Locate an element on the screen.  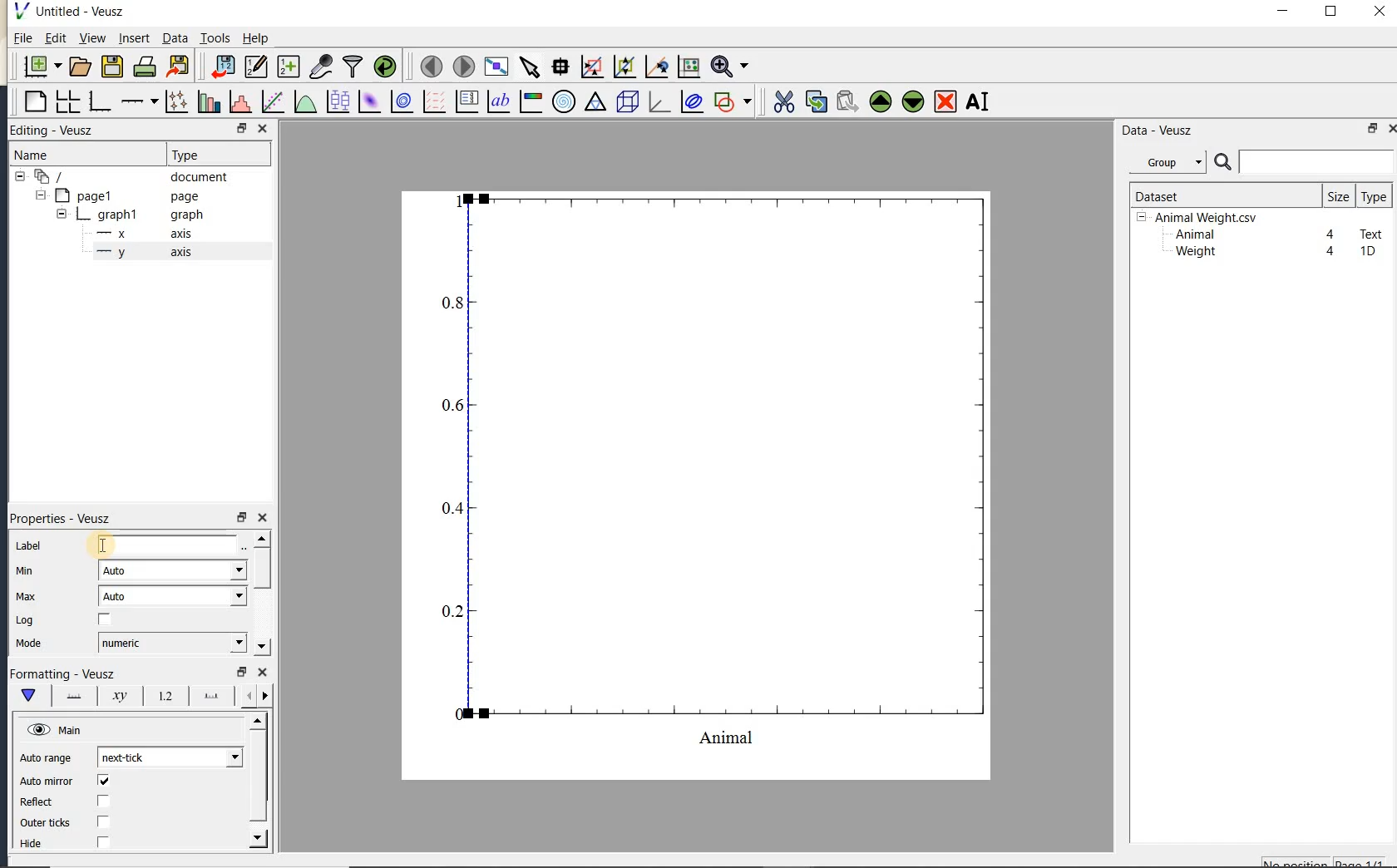
text label is located at coordinates (498, 103).